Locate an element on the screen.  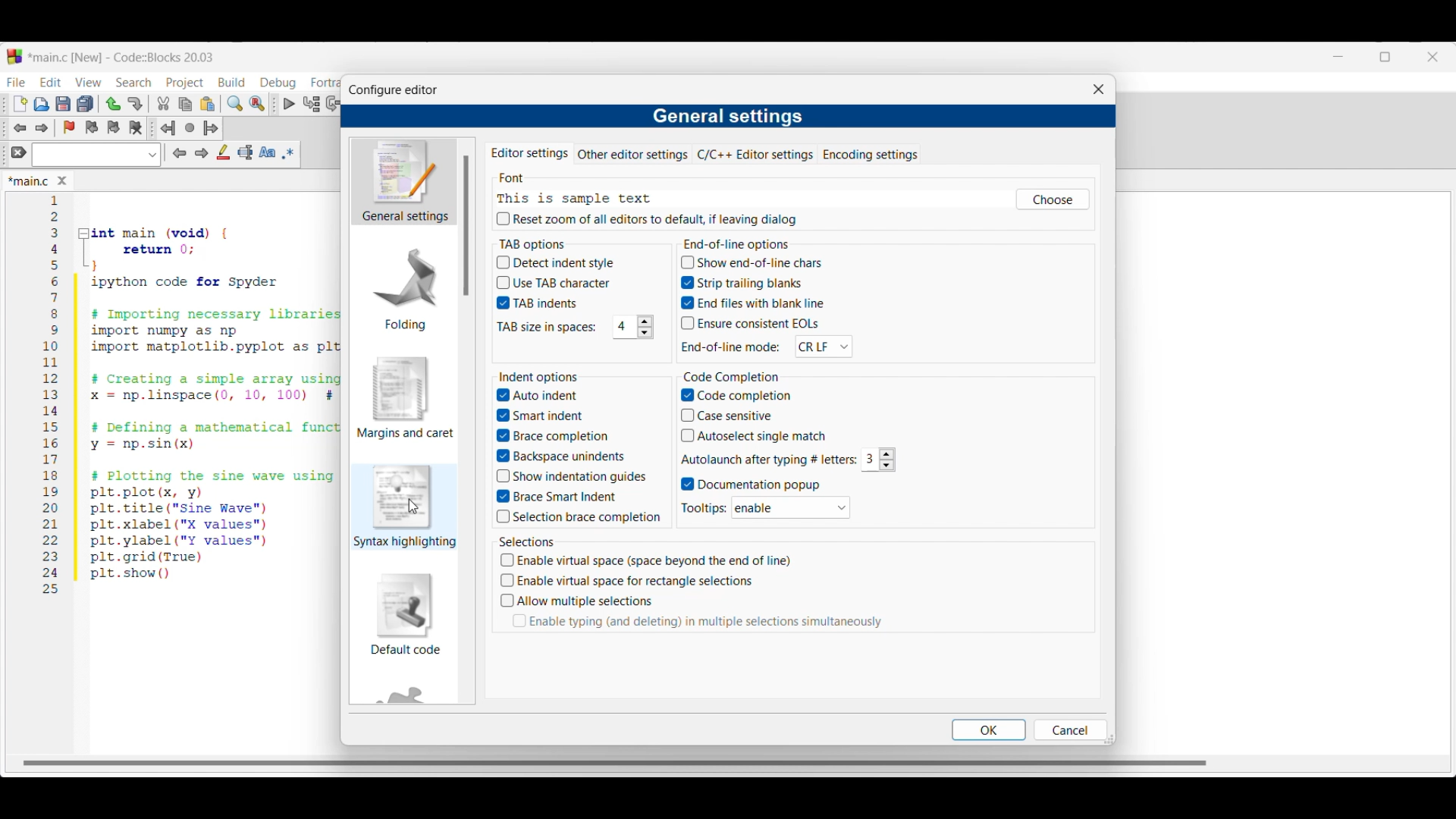
Minimize  is located at coordinates (1338, 57).